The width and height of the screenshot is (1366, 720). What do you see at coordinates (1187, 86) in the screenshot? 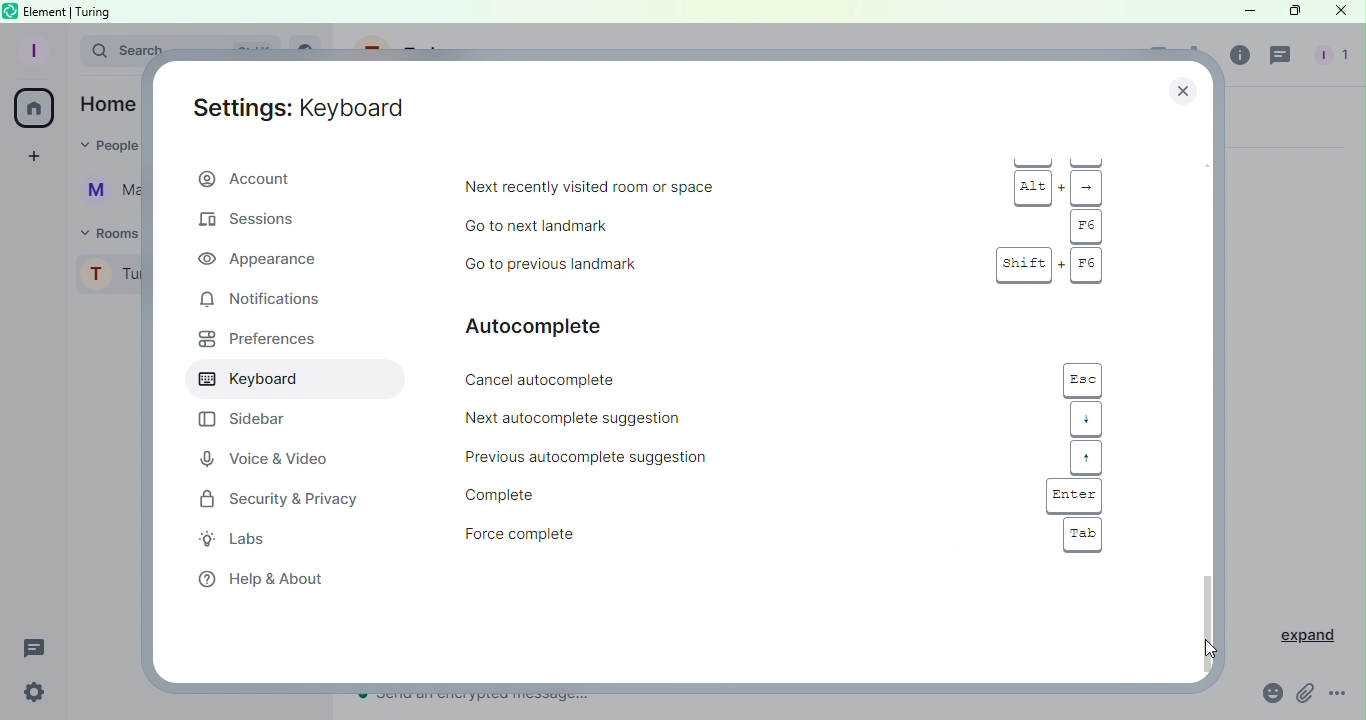
I see `Close` at bounding box center [1187, 86].